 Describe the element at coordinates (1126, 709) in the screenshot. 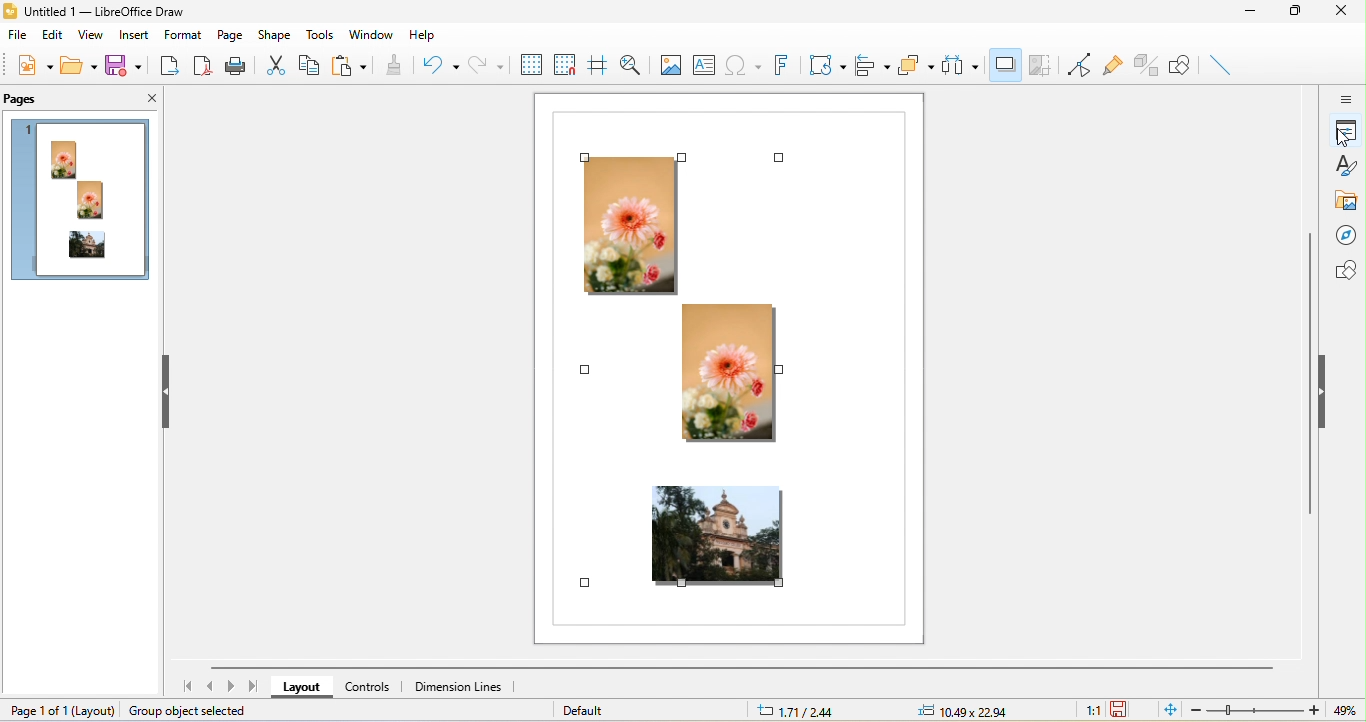

I see `the document has not been modified since the last save` at that location.